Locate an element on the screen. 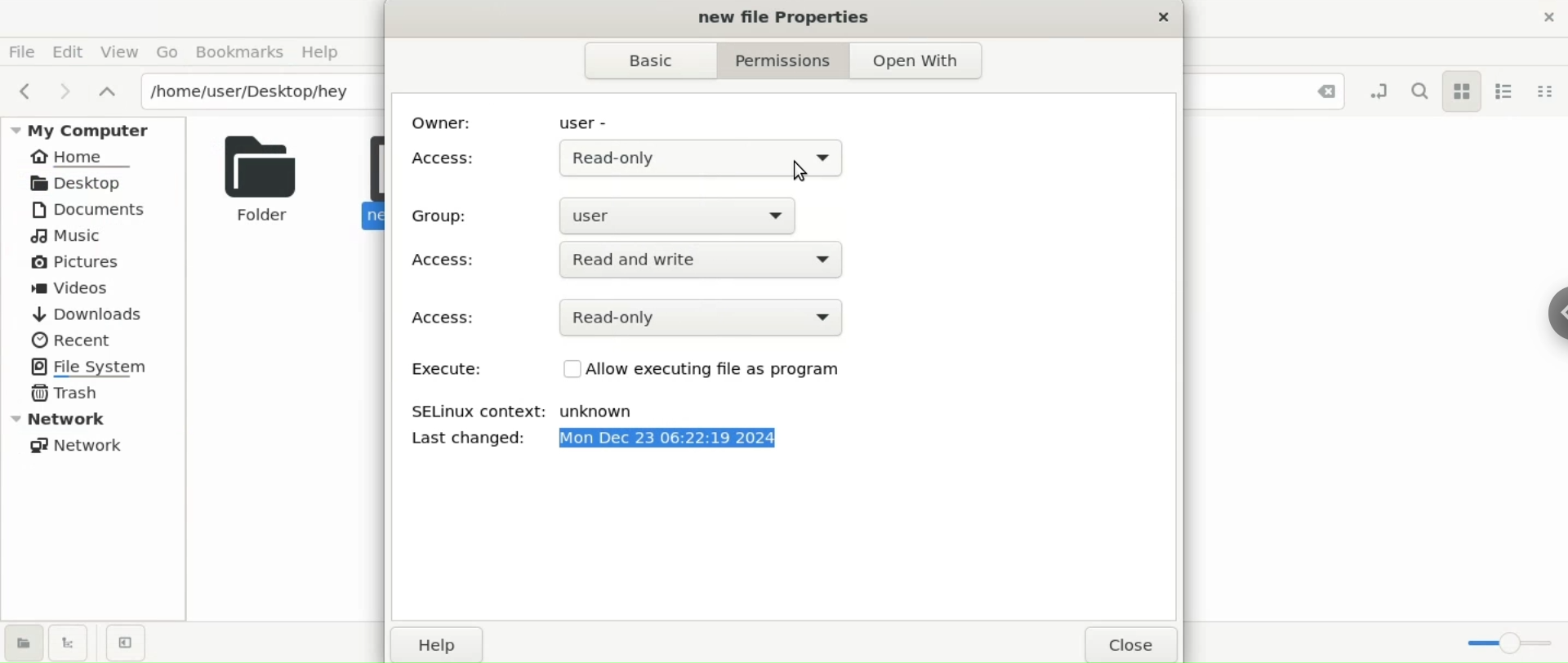  Desktop is located at coordinates (87, 182).